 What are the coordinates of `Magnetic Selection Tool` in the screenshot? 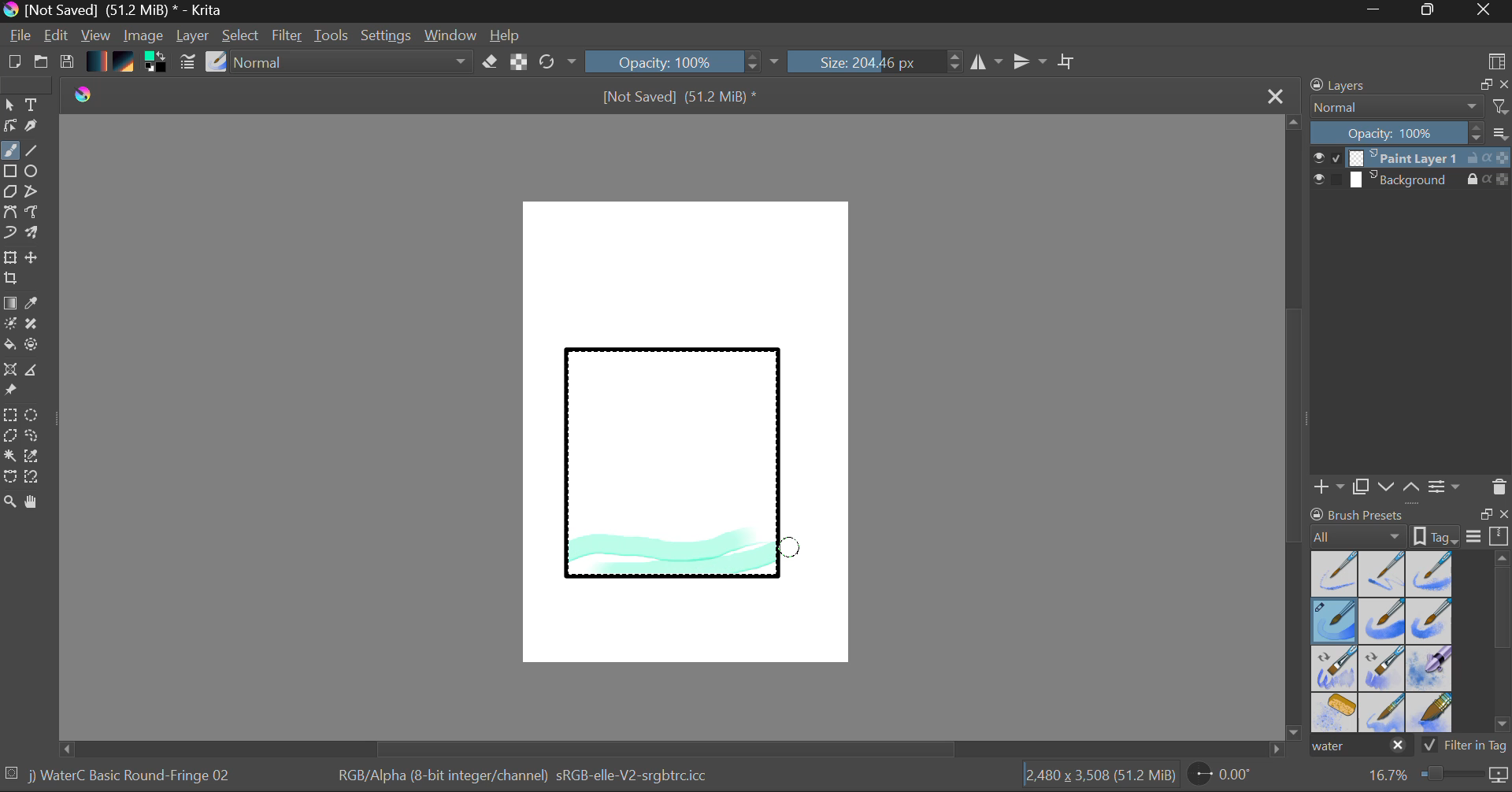 It's located at (32, 477).